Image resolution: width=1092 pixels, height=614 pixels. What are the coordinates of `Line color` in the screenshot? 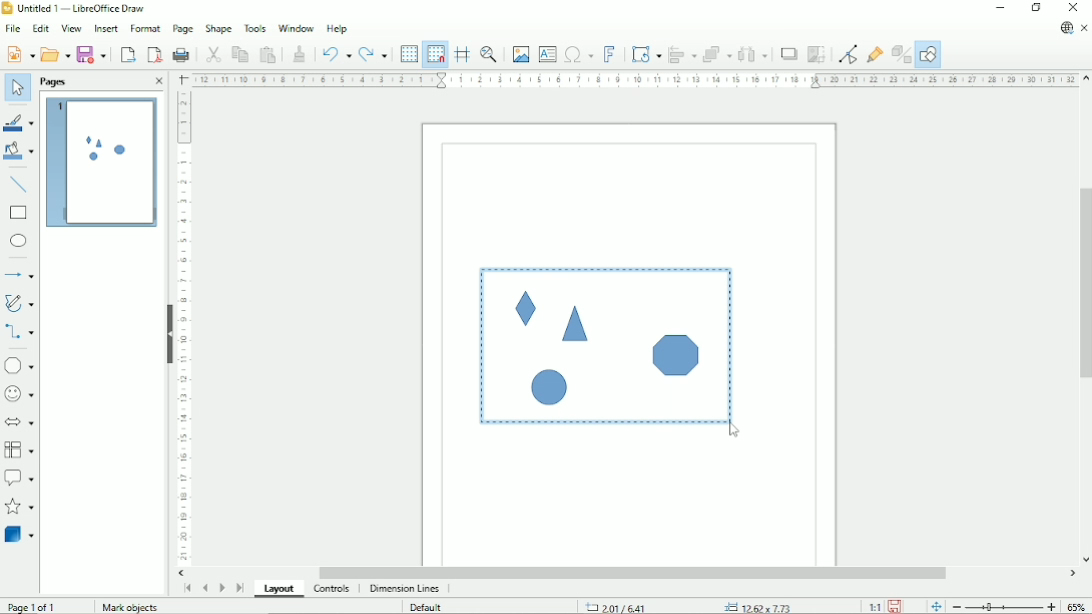 It's located at (21, 123).